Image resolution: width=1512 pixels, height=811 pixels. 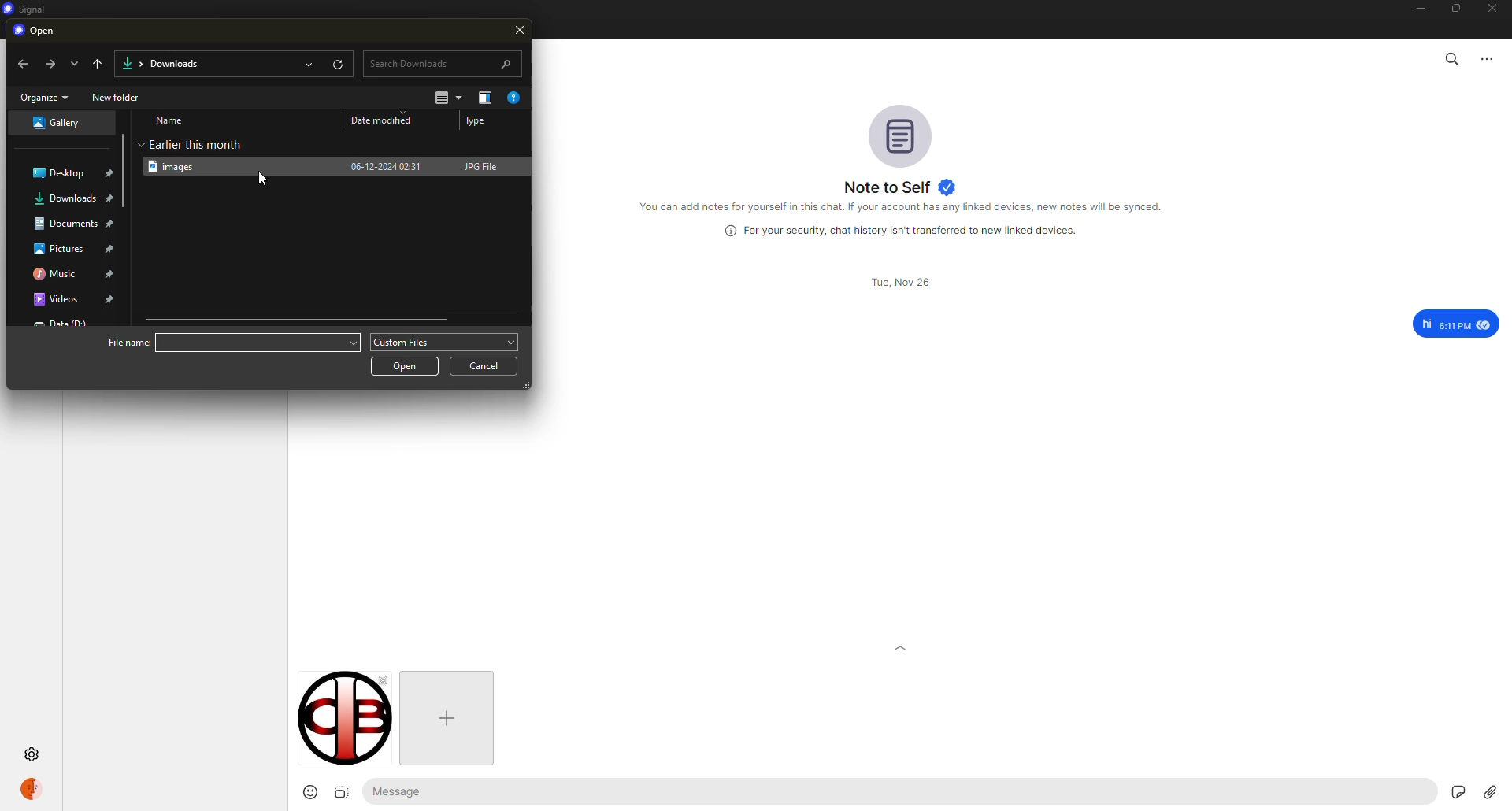 What do you see at coordinates (1495, 9) in the screenshot?
I see `close` at bounding box center [1495, 9].